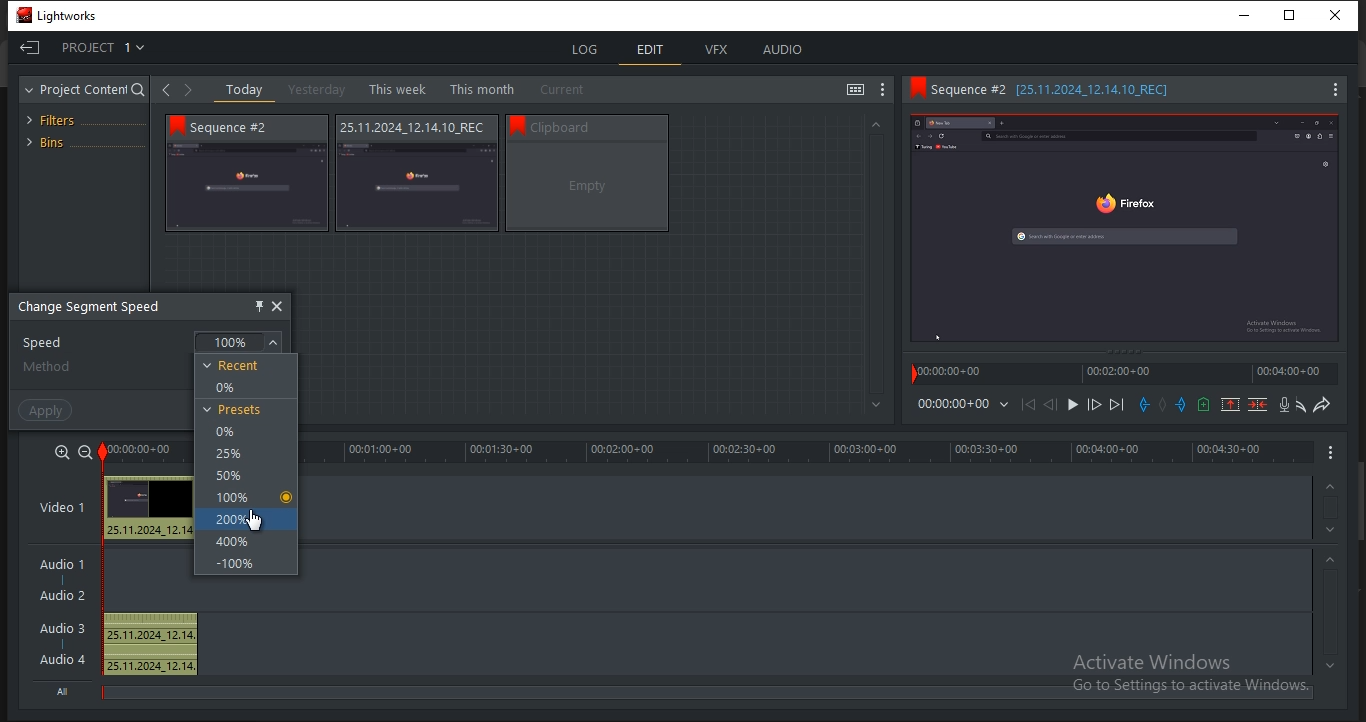 This screenshot has width=1366, height=722. Describe the element at coordinates (65, 660) in the screenshot. I see `Audio 4` at that location.